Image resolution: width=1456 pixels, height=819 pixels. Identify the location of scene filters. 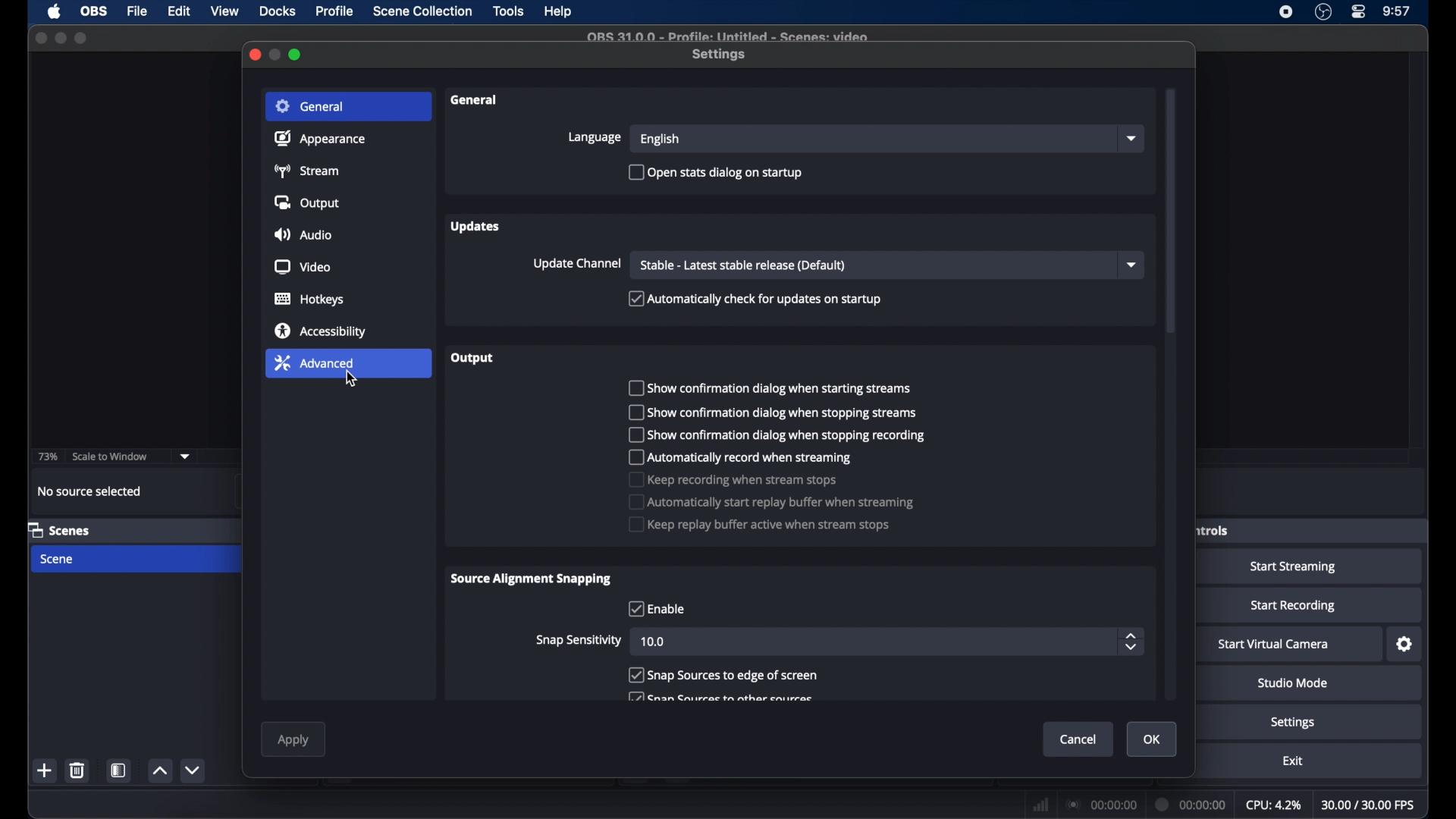
(119, 770).